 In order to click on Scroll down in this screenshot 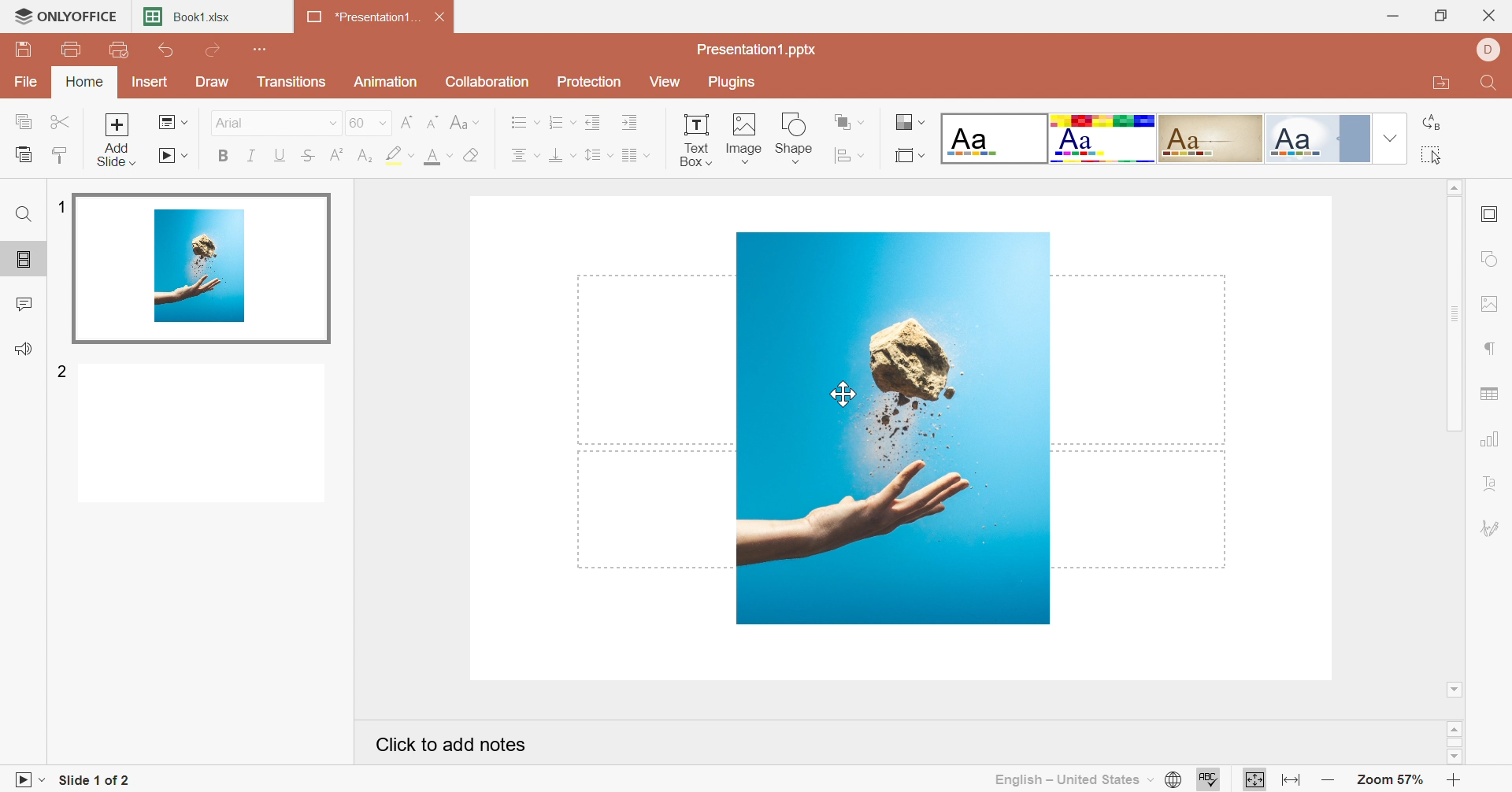, I will do `click(1455, 690)`.